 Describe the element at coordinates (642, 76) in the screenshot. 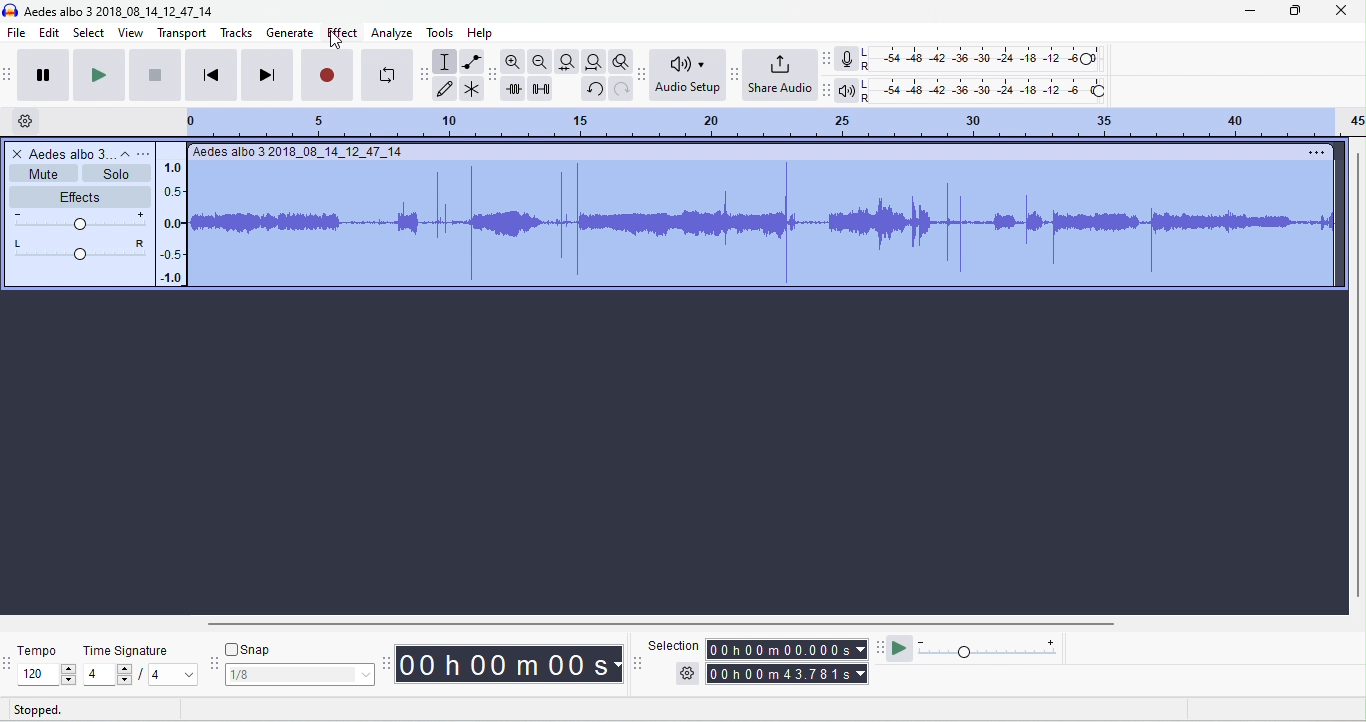

I see `audacity audio setup toolbar` at that location.